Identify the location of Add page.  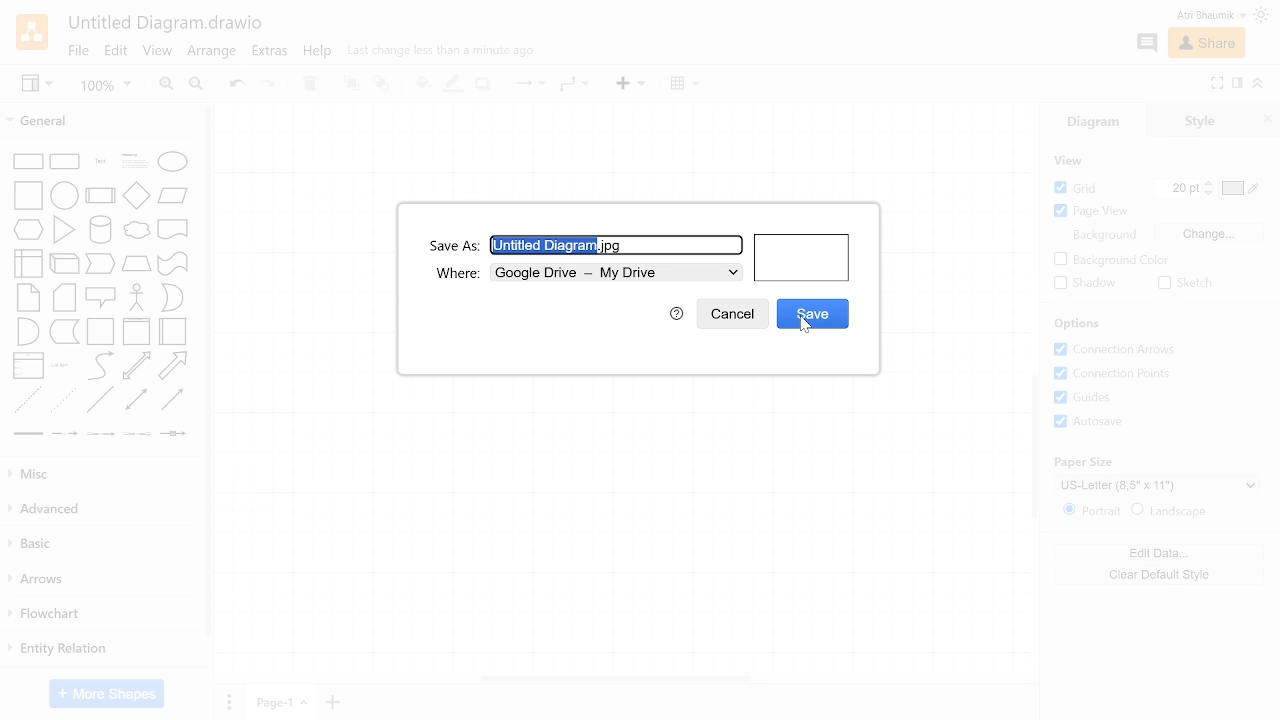
(332, 702).